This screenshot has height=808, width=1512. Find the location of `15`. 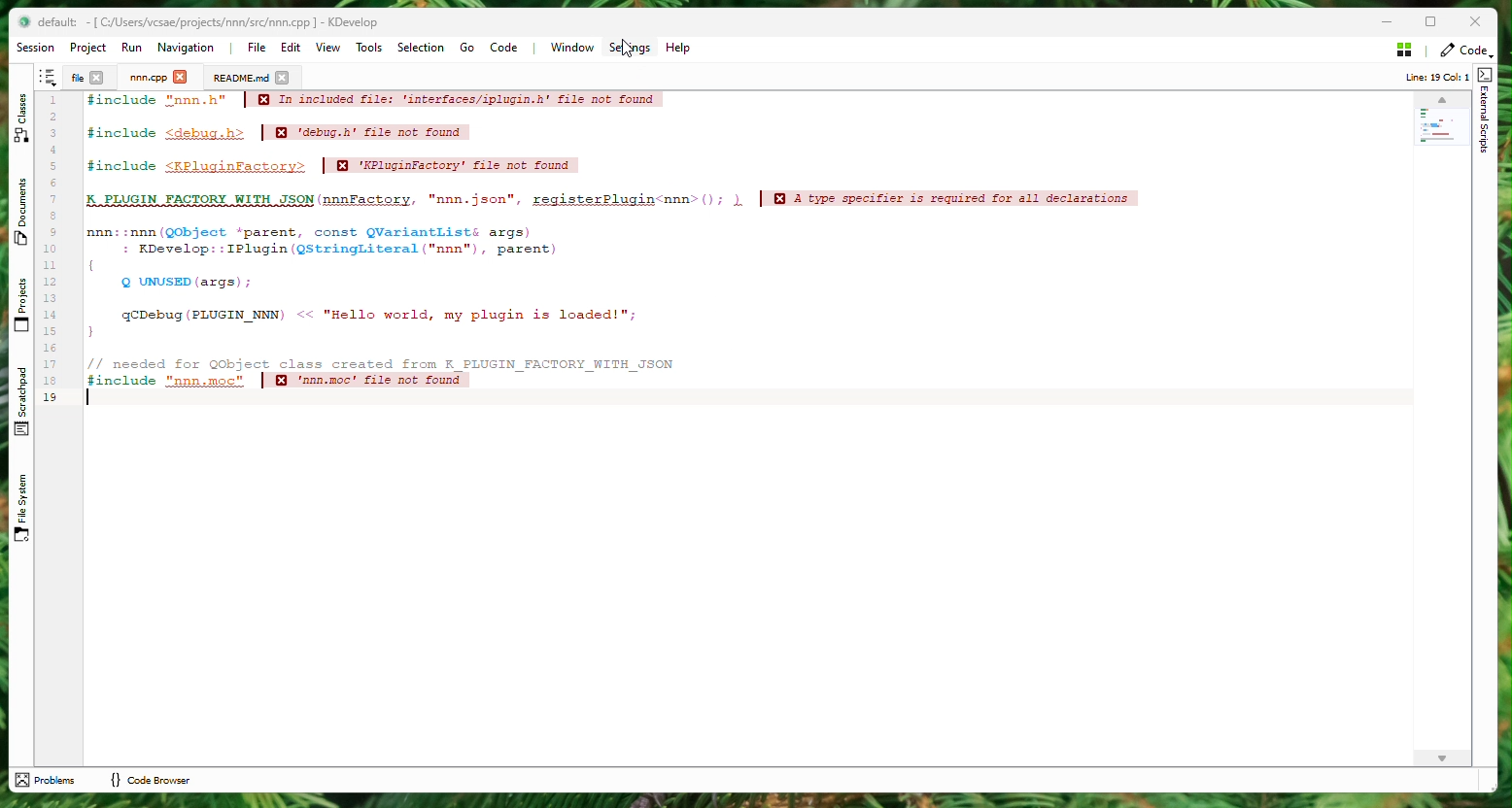

15 is located at coordinates (51, 331).